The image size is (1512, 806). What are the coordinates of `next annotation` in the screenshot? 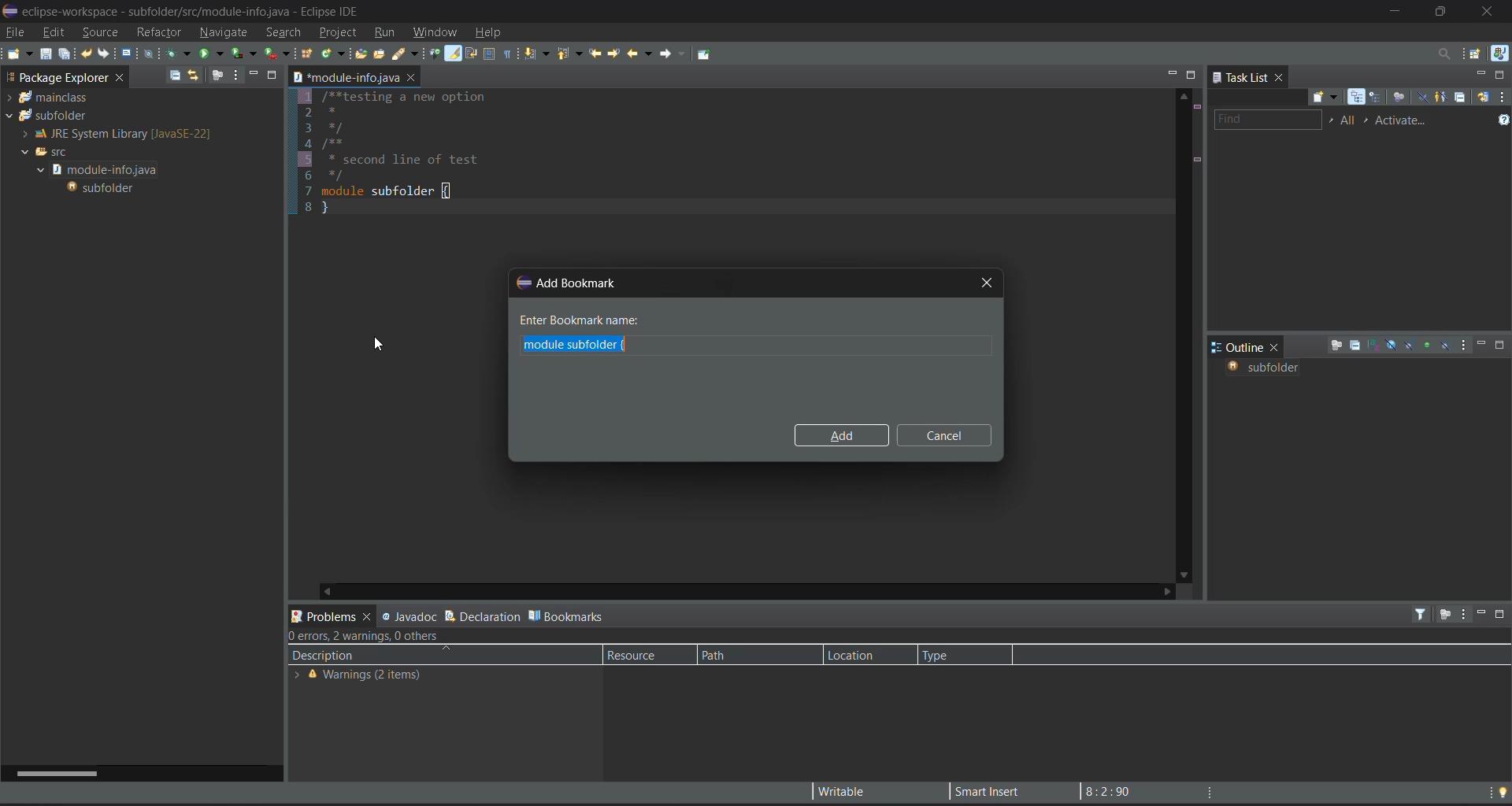 It's located at (539, 55).